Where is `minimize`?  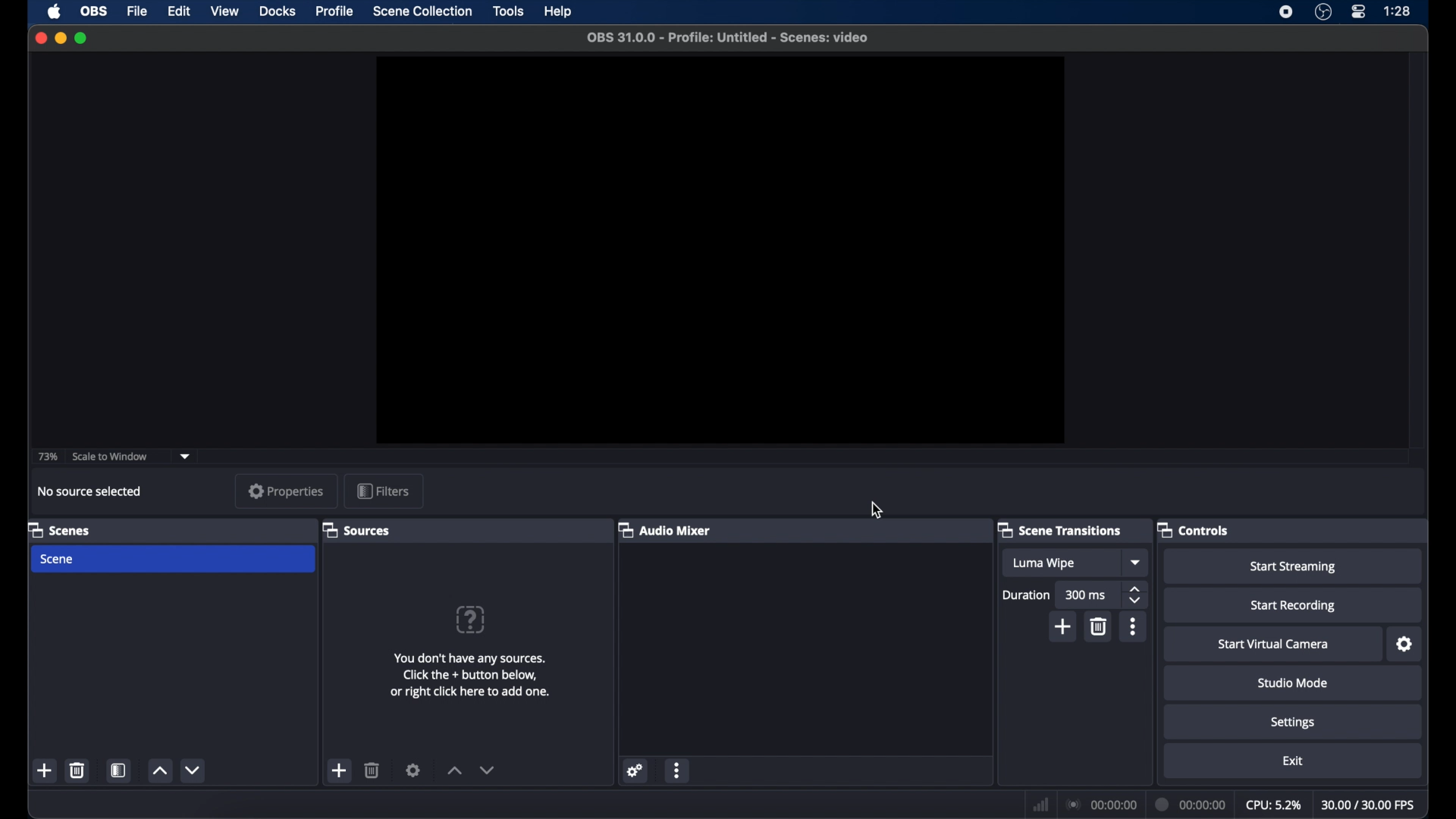
minimize is located at coordinates (60, 38).